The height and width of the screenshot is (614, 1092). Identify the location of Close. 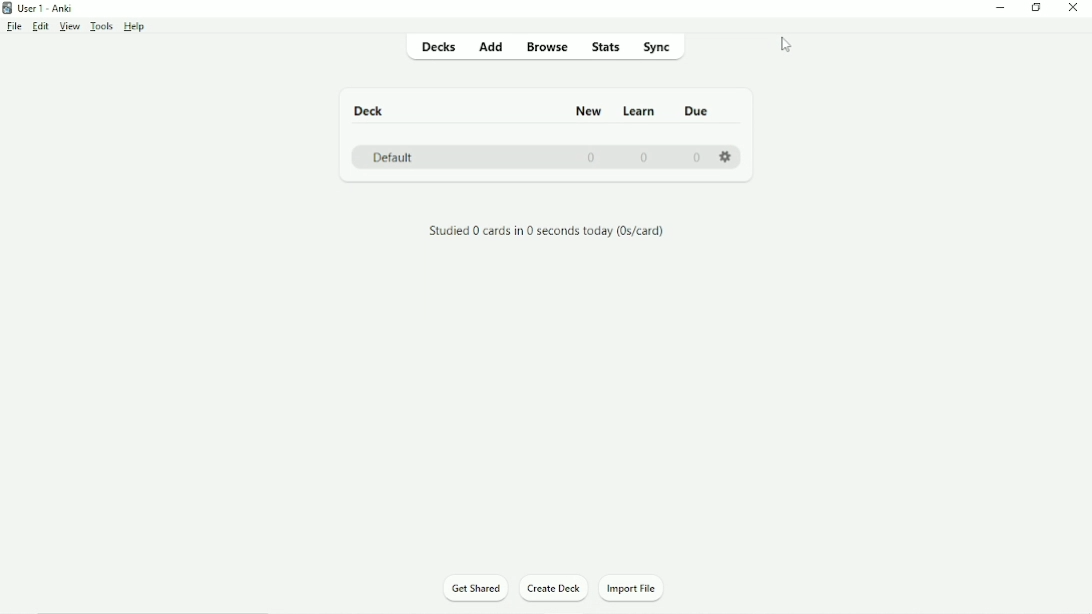
(1074, 8).